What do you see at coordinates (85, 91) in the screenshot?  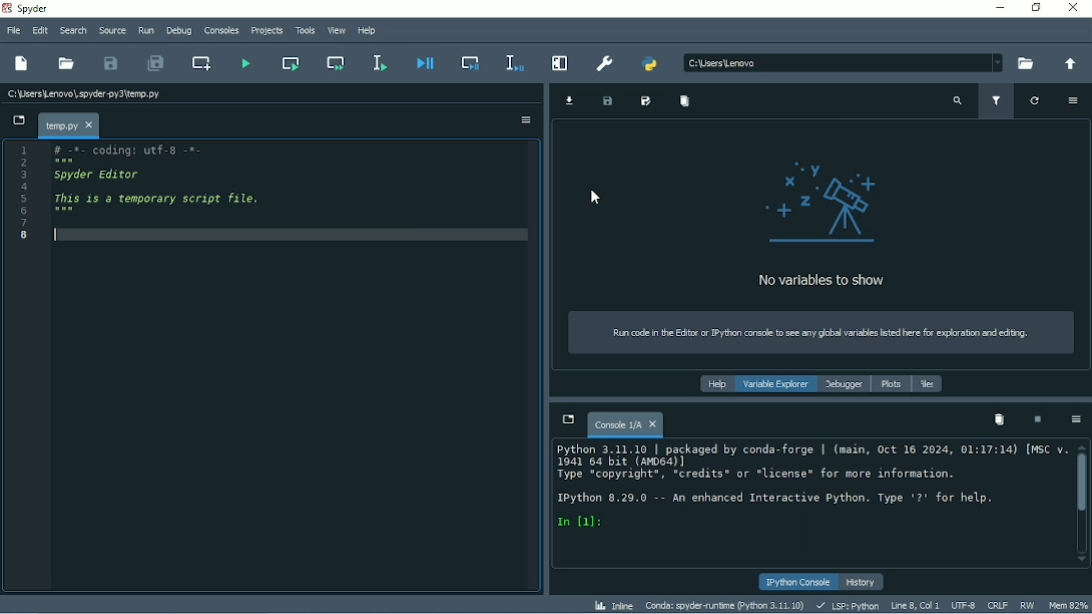 I see `File name` at bounding box center [85, 91].